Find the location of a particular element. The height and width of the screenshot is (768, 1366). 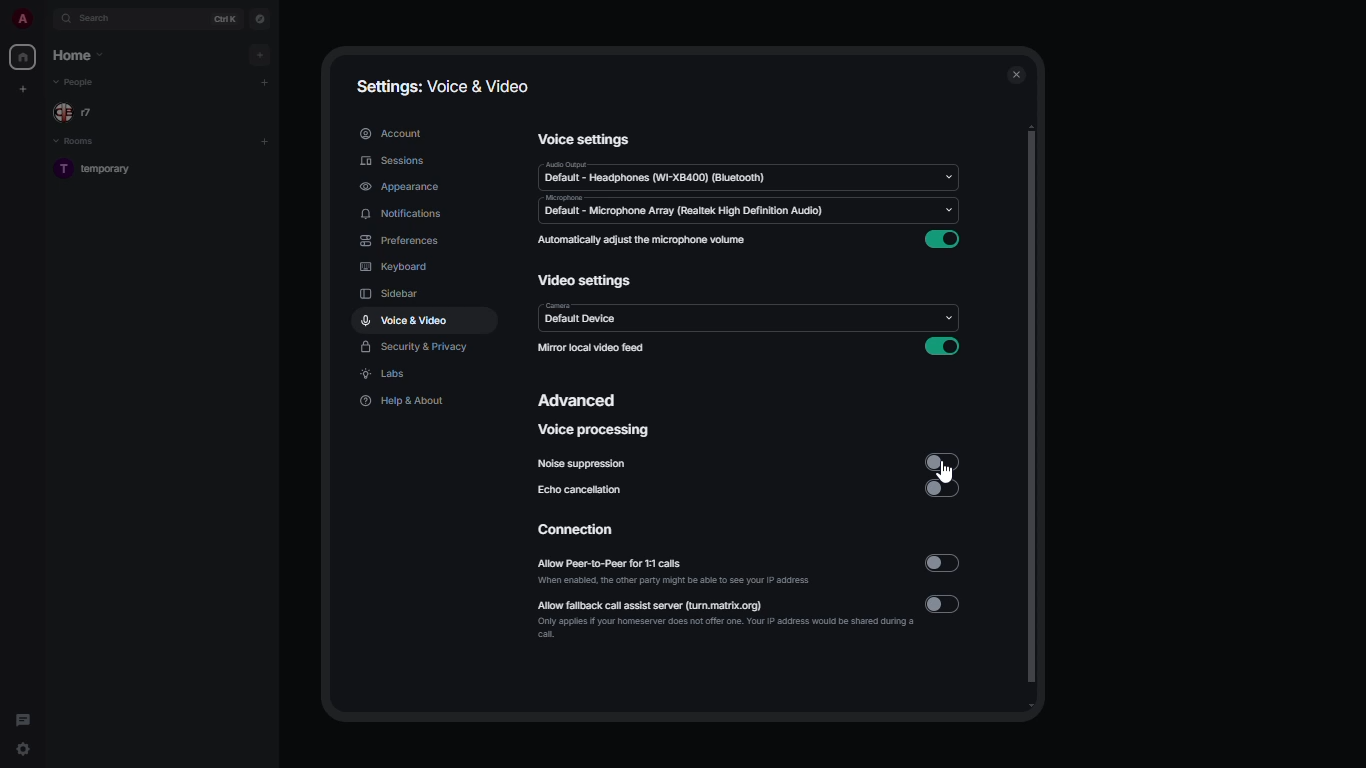

preferences is located at coordinates (399, 241).